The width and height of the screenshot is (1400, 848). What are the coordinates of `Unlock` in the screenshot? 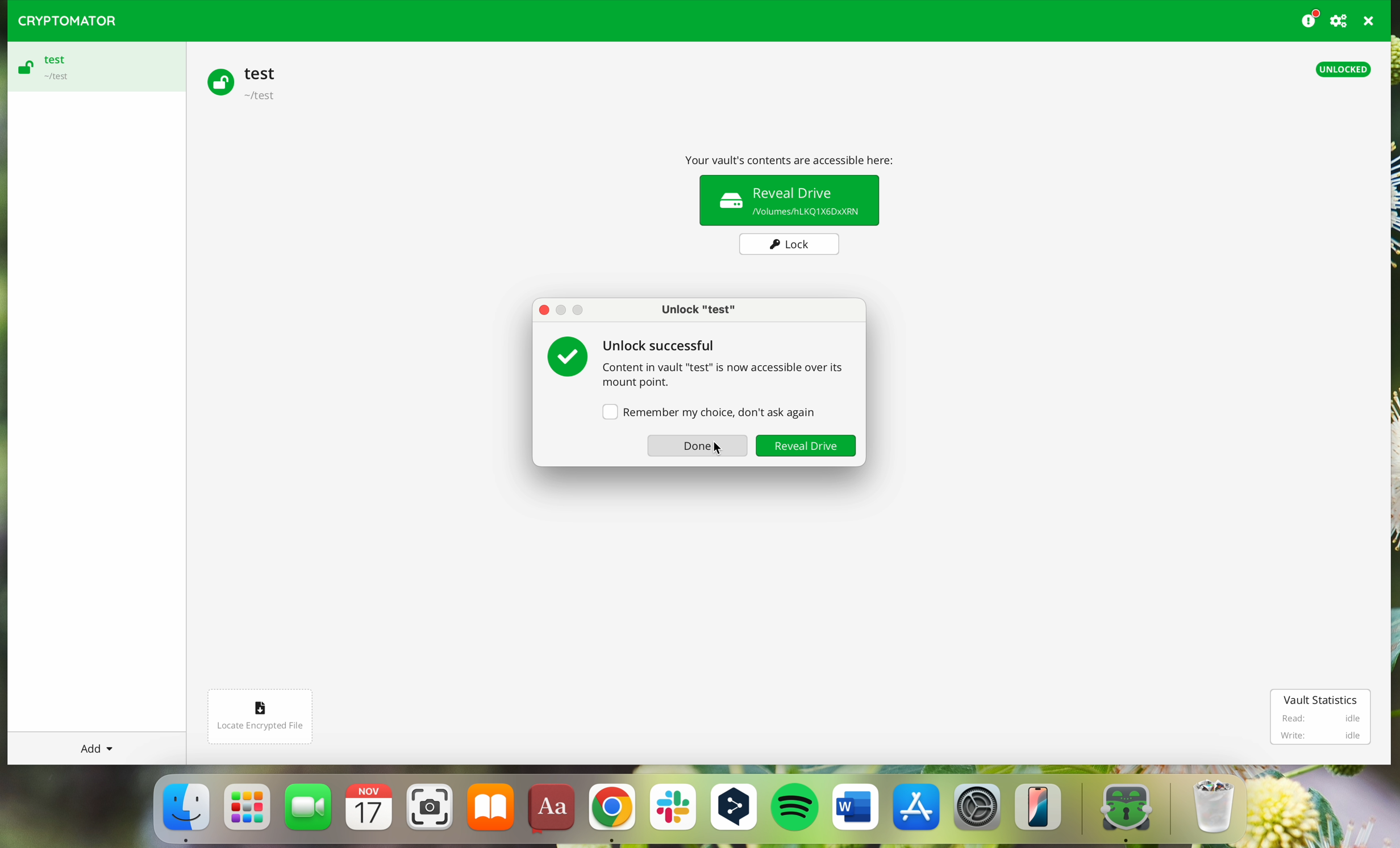 It's located at (805, 446).